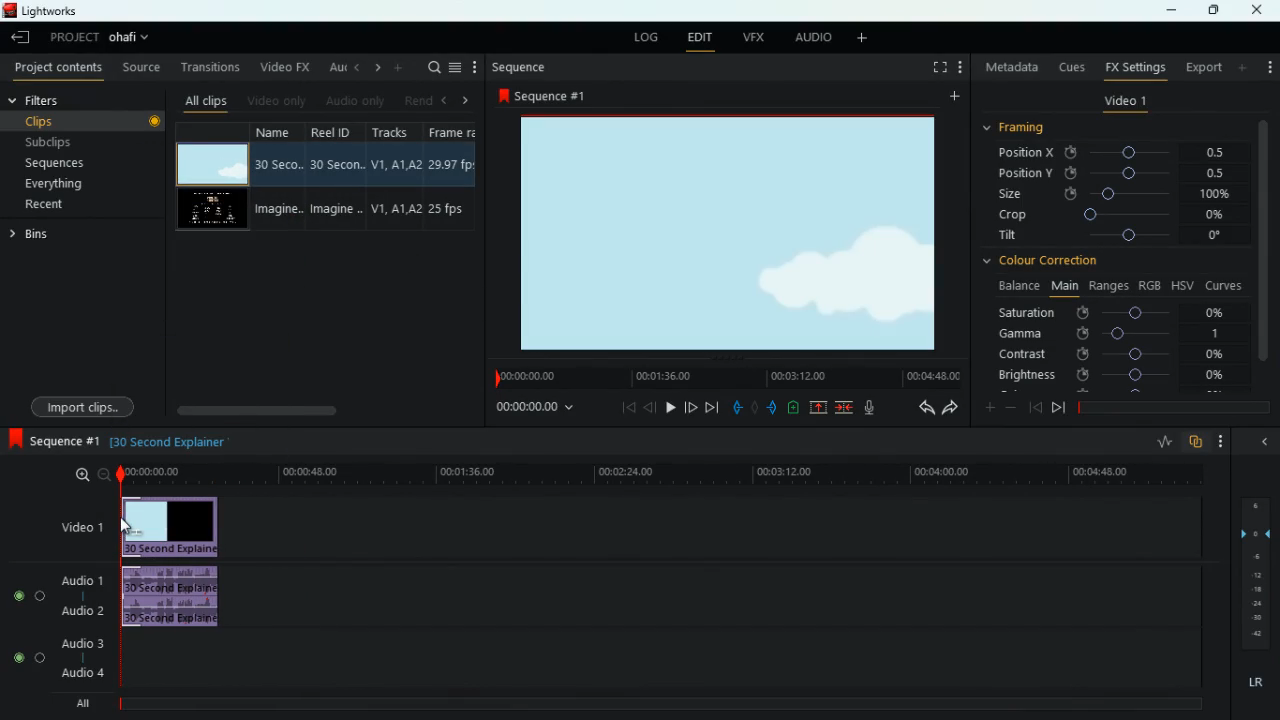 The width and height of the screenshot is (1280, 720). I want to click on lightworks, so click(64, 11).